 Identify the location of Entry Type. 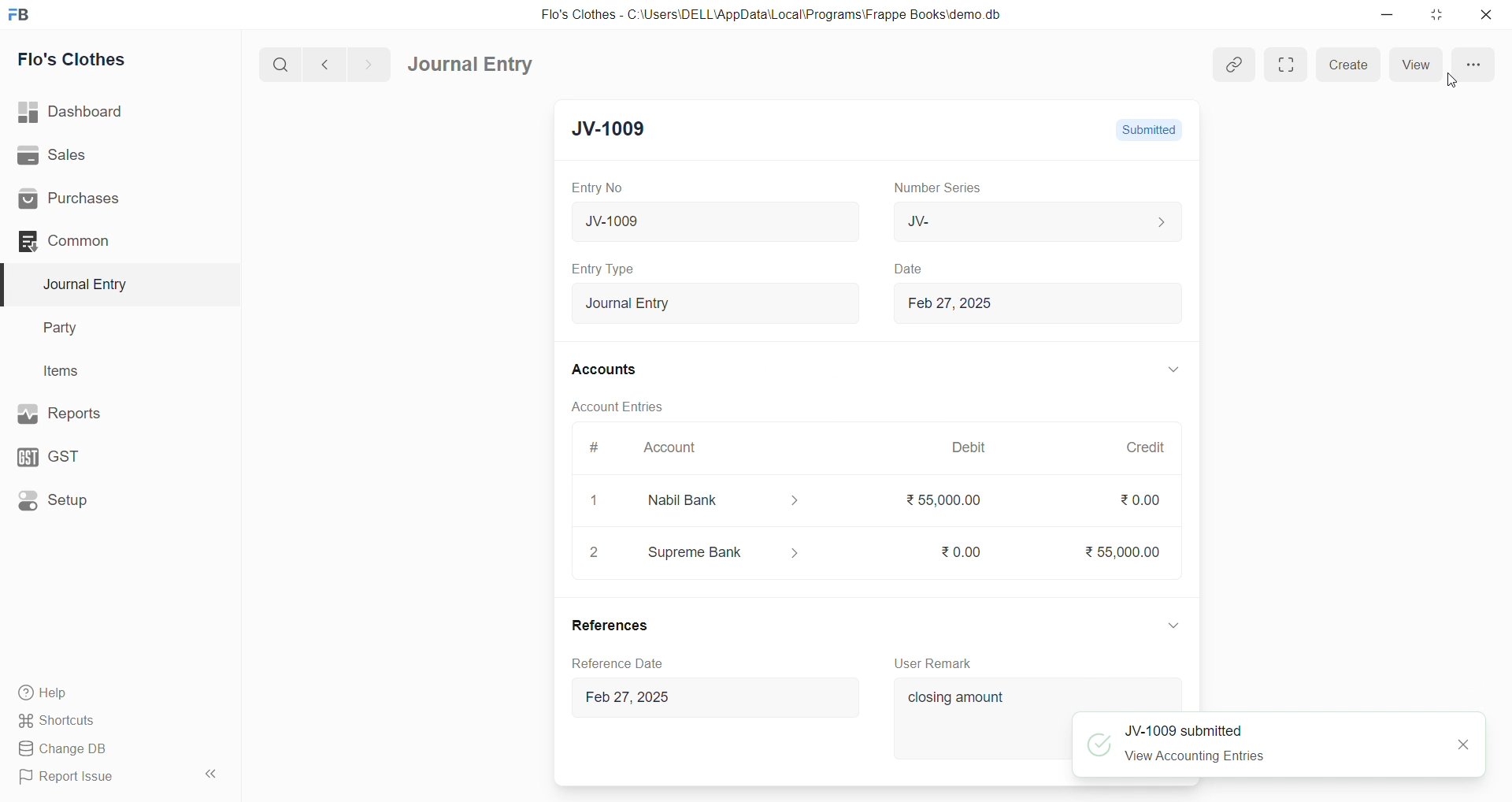
(604, 269).